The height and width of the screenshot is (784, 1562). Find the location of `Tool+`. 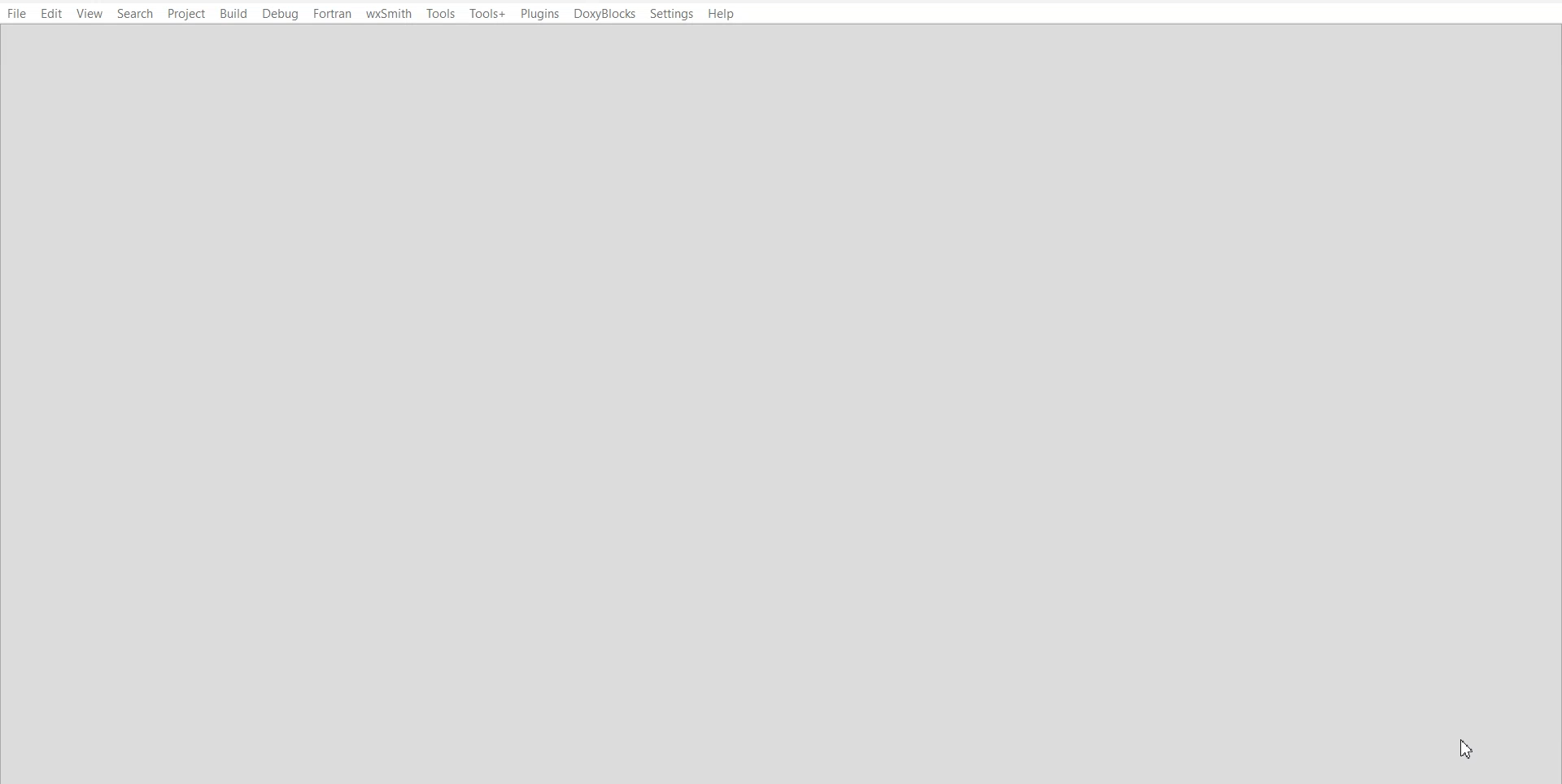

Tool+ is located at coordinates (490, 14).